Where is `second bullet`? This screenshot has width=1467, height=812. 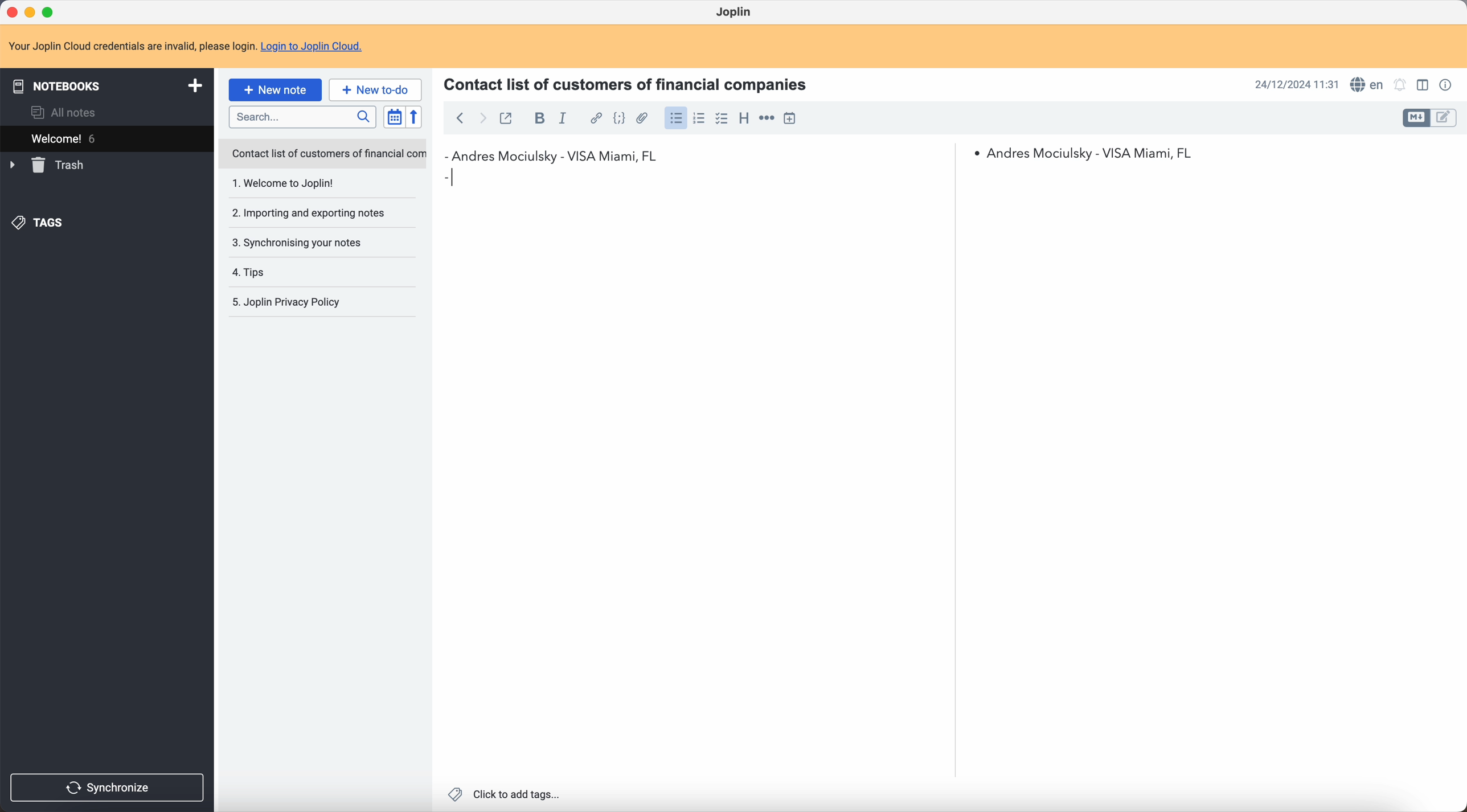
second bullet is located at coordinates (448, 176).